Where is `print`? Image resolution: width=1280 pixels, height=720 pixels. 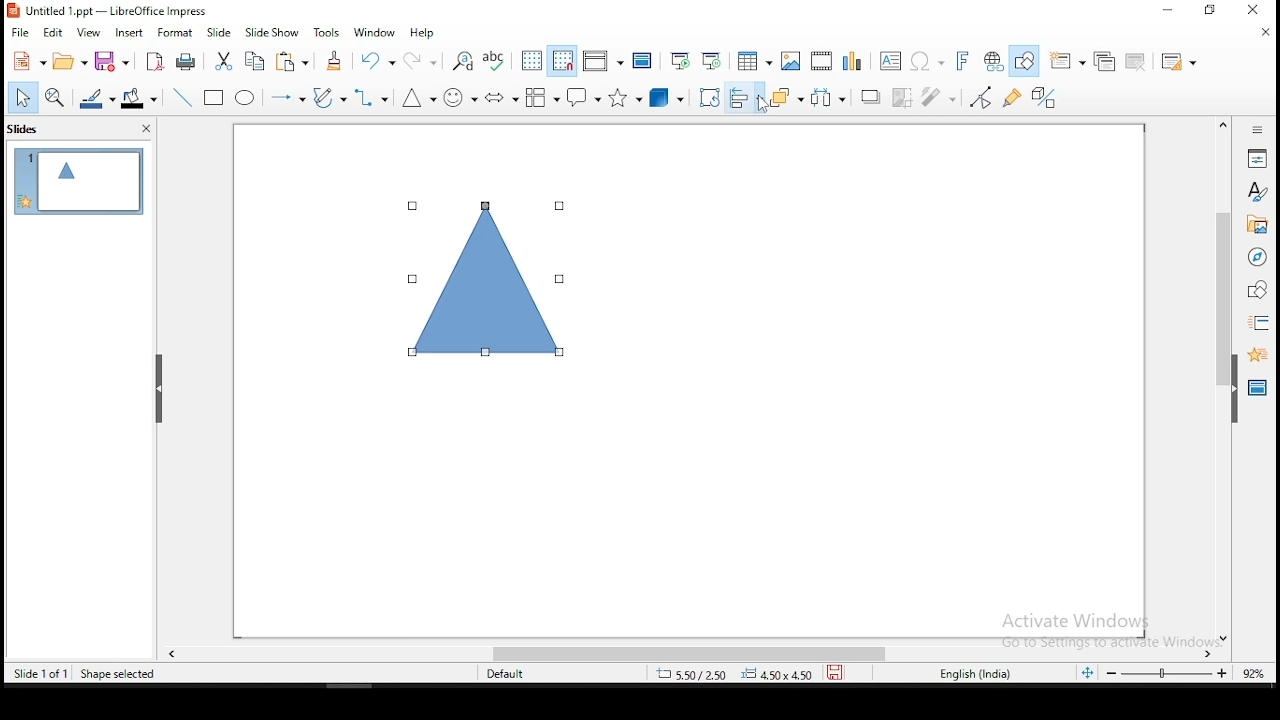 print is located at coordinates (187, 63).